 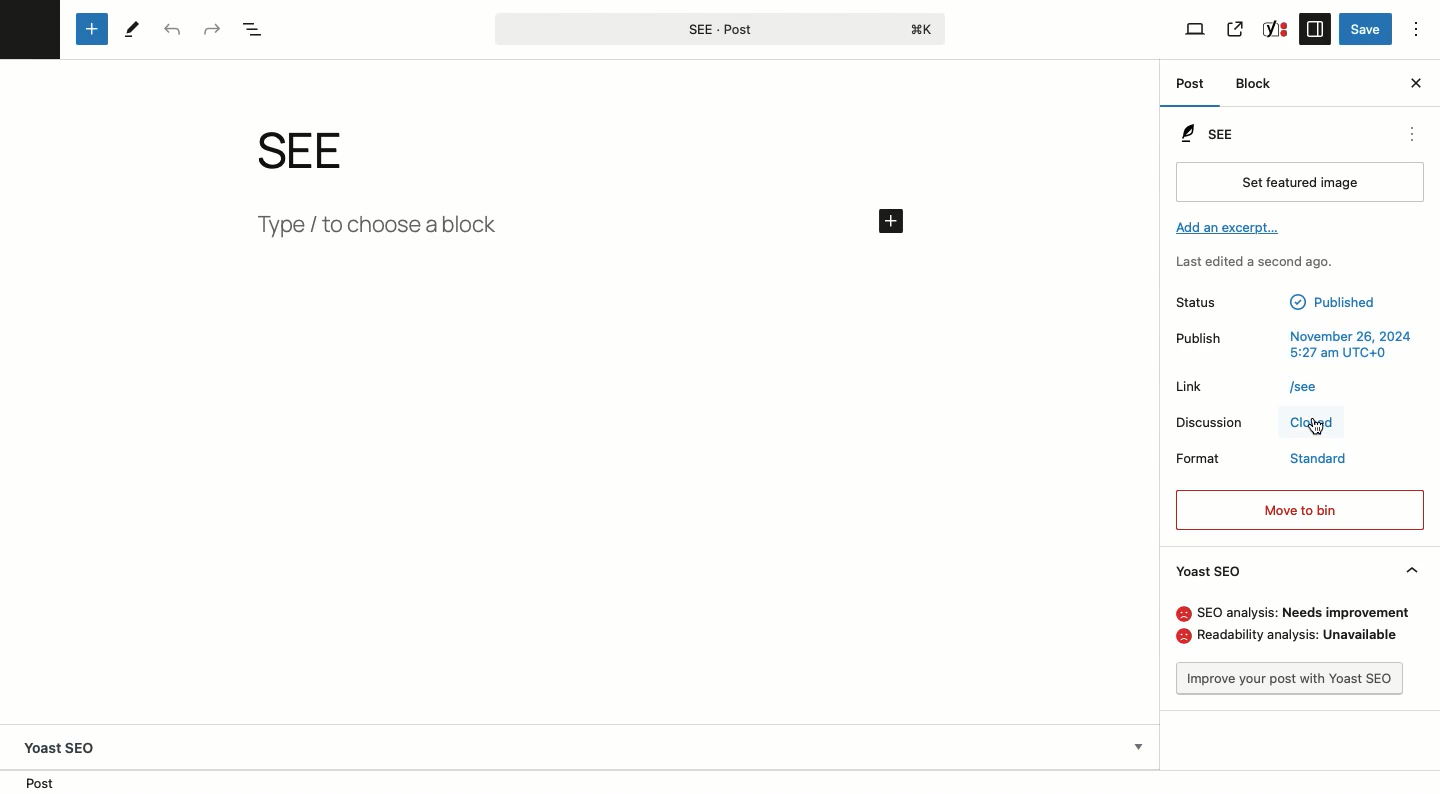 What do you see at coordinates (1248, 390) in the screenshot?
I see `Link` at bounding box center [1248, 390].